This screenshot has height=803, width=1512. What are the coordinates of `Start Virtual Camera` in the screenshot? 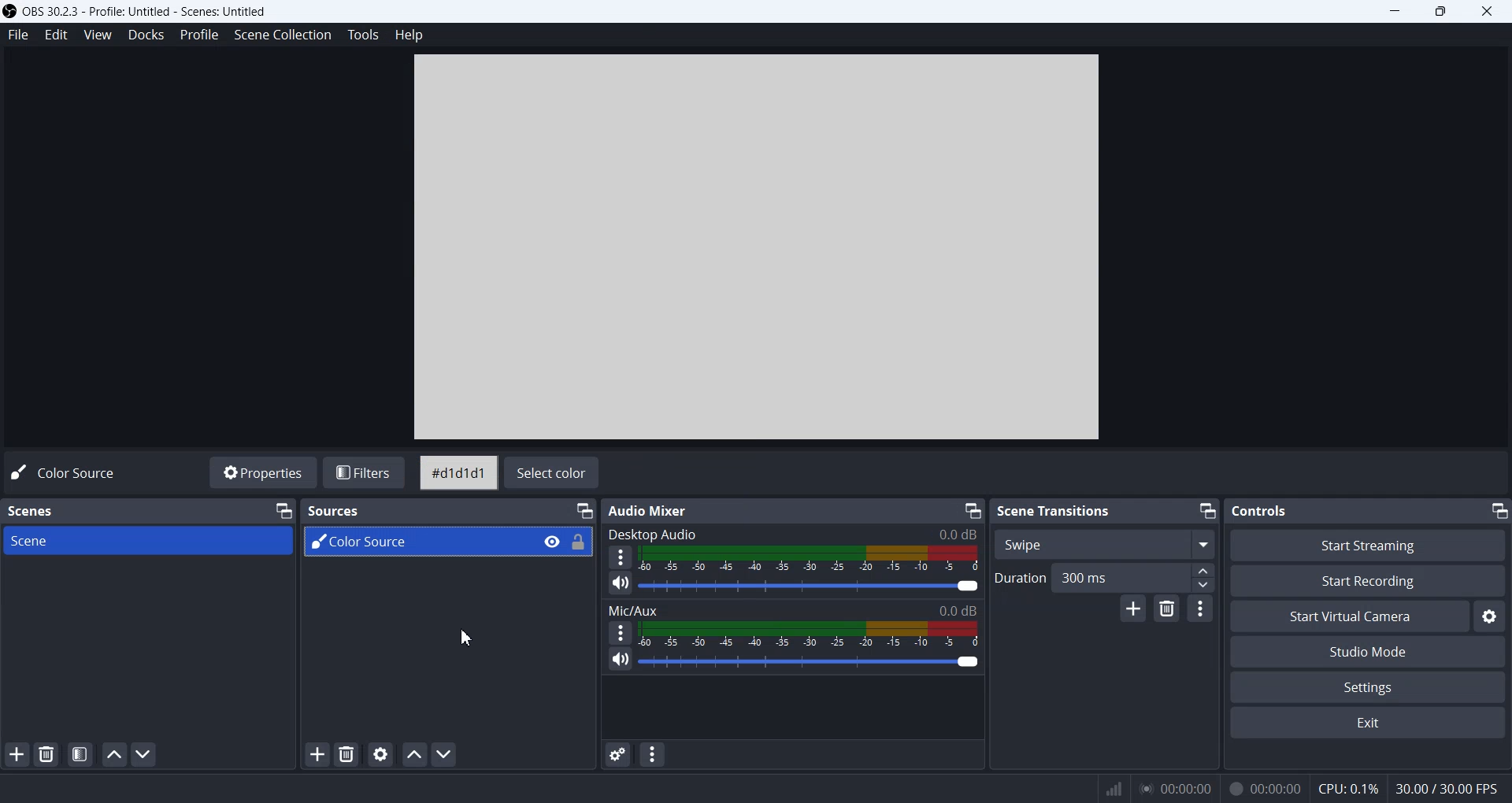 It's located at (1349, 616).